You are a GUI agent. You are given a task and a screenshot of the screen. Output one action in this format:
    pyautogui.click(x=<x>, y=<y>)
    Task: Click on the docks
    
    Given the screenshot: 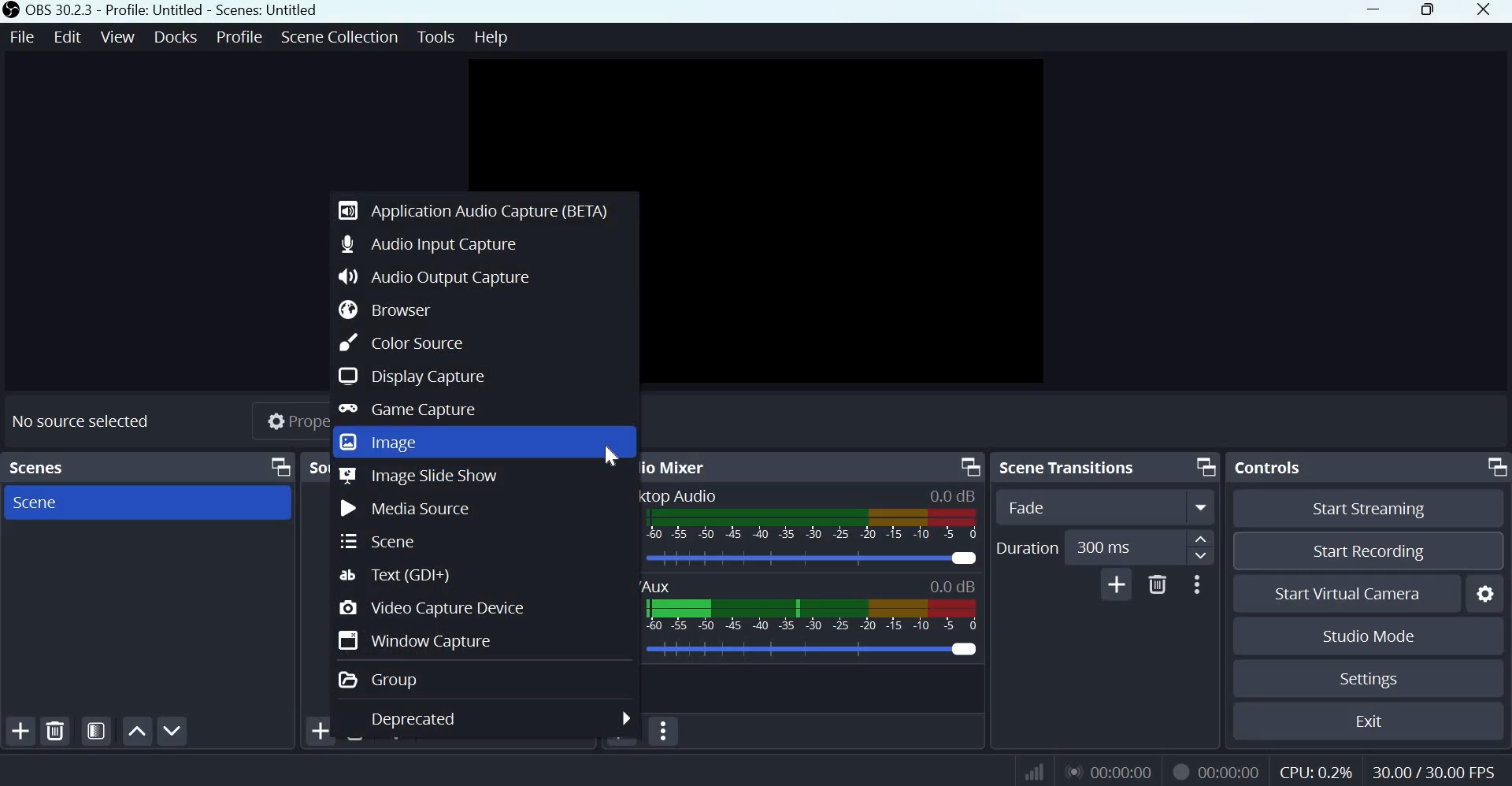 What is the action you would take?
    pyautogui.click(x=178, y=35)
    